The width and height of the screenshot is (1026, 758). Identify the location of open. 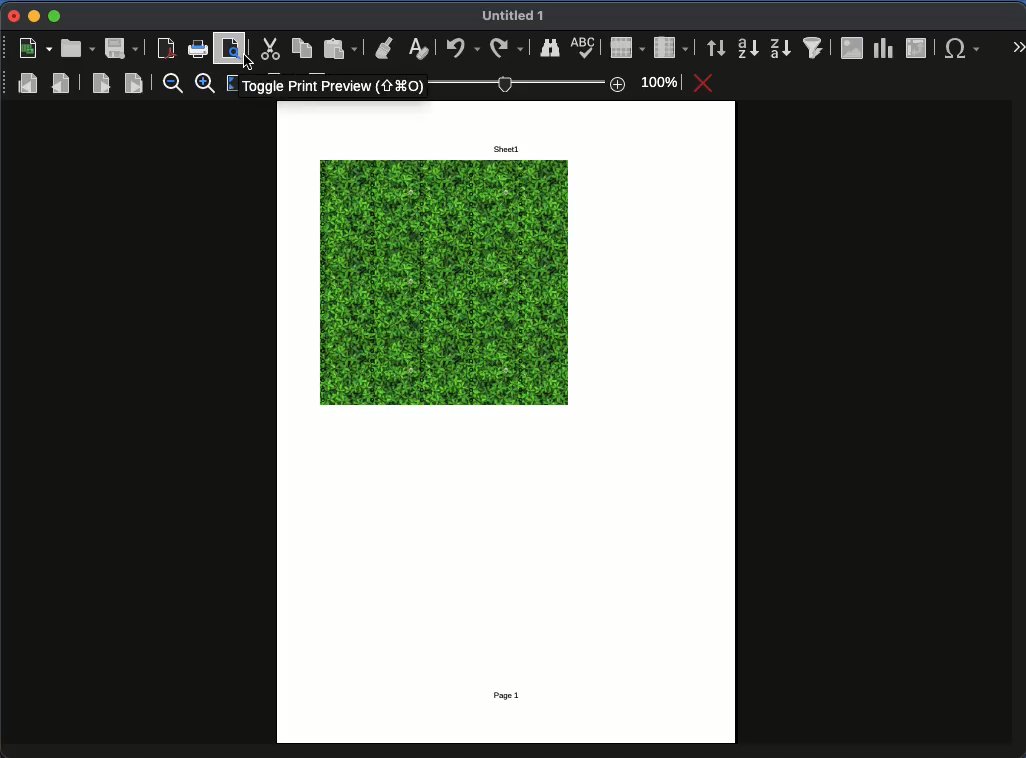
(77, 48).